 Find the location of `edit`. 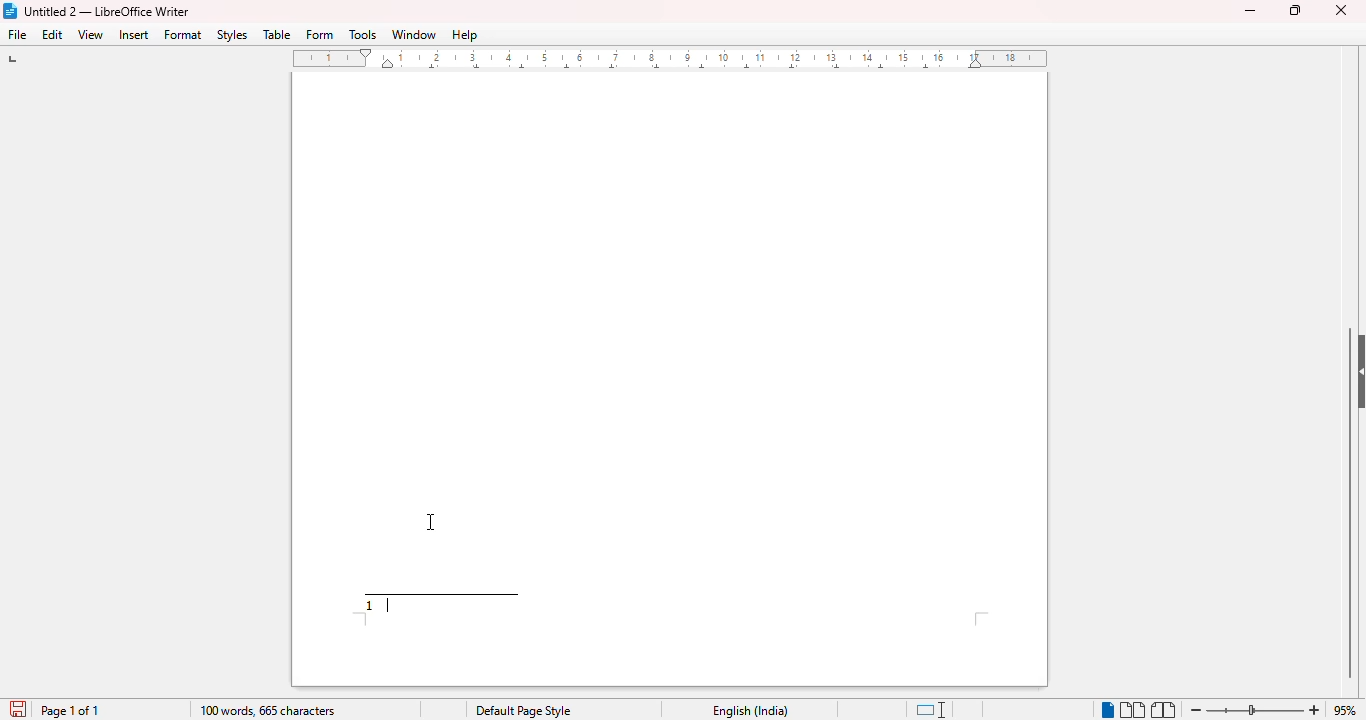

edit is located at coordinates (54, 34).